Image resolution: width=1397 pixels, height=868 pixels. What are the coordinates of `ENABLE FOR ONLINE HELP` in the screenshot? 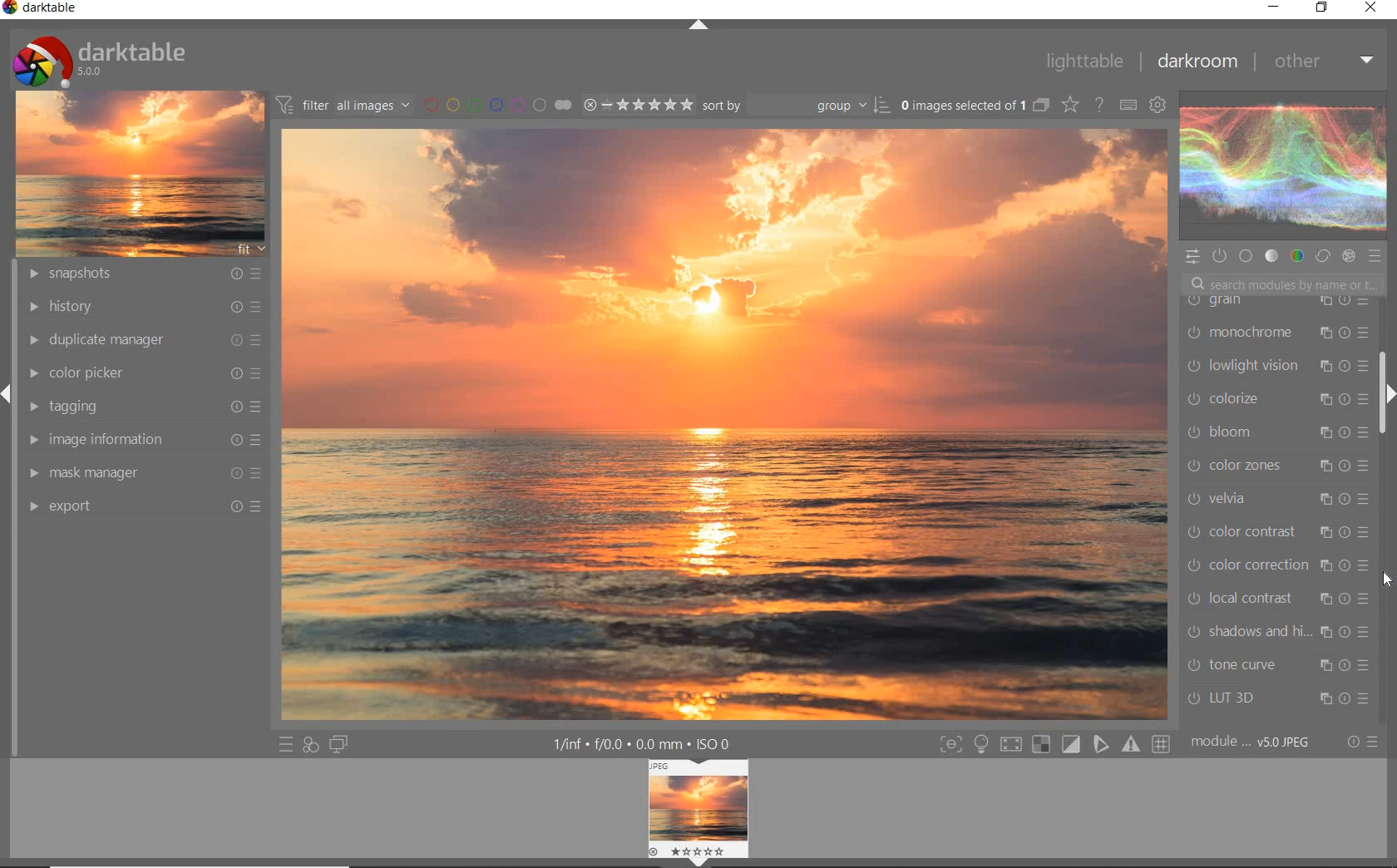 It's located at (1102, 104).